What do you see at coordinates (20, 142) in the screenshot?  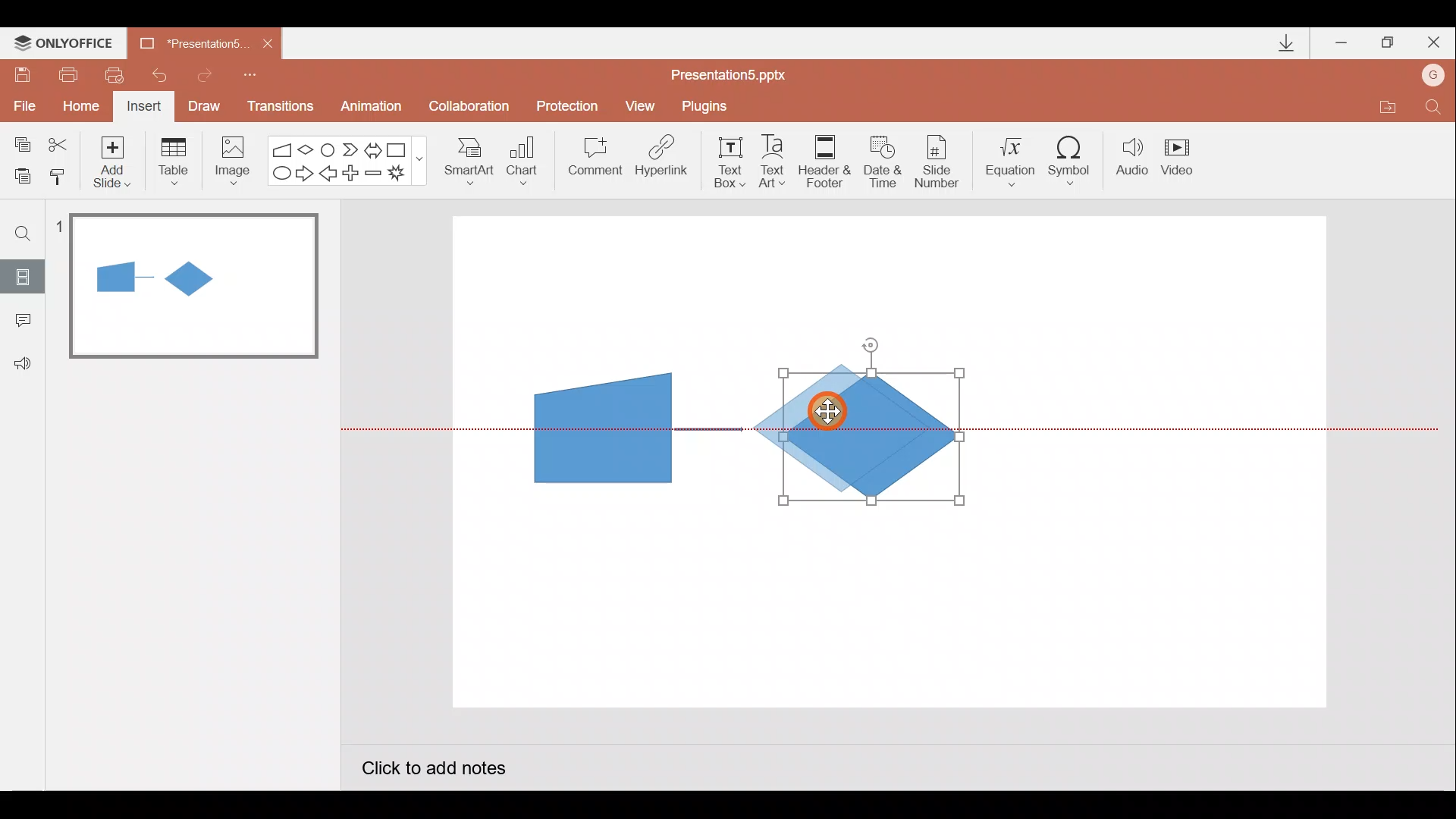 I see `Copy` at bounding box center [20, 142].